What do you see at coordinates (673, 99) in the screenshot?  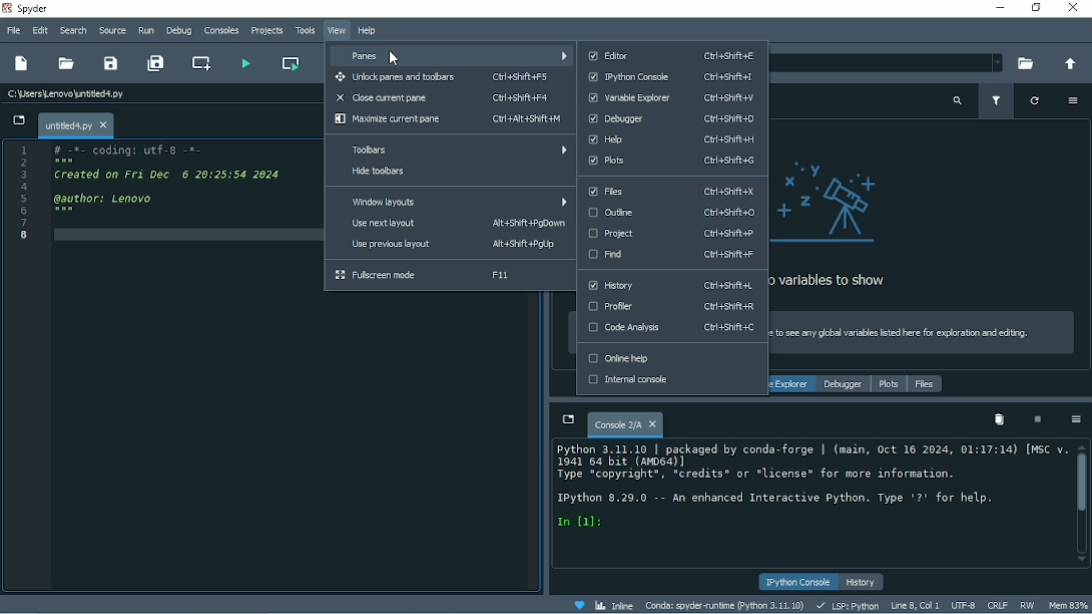 I see `Variable explorer` at bounding box center [673, 99].